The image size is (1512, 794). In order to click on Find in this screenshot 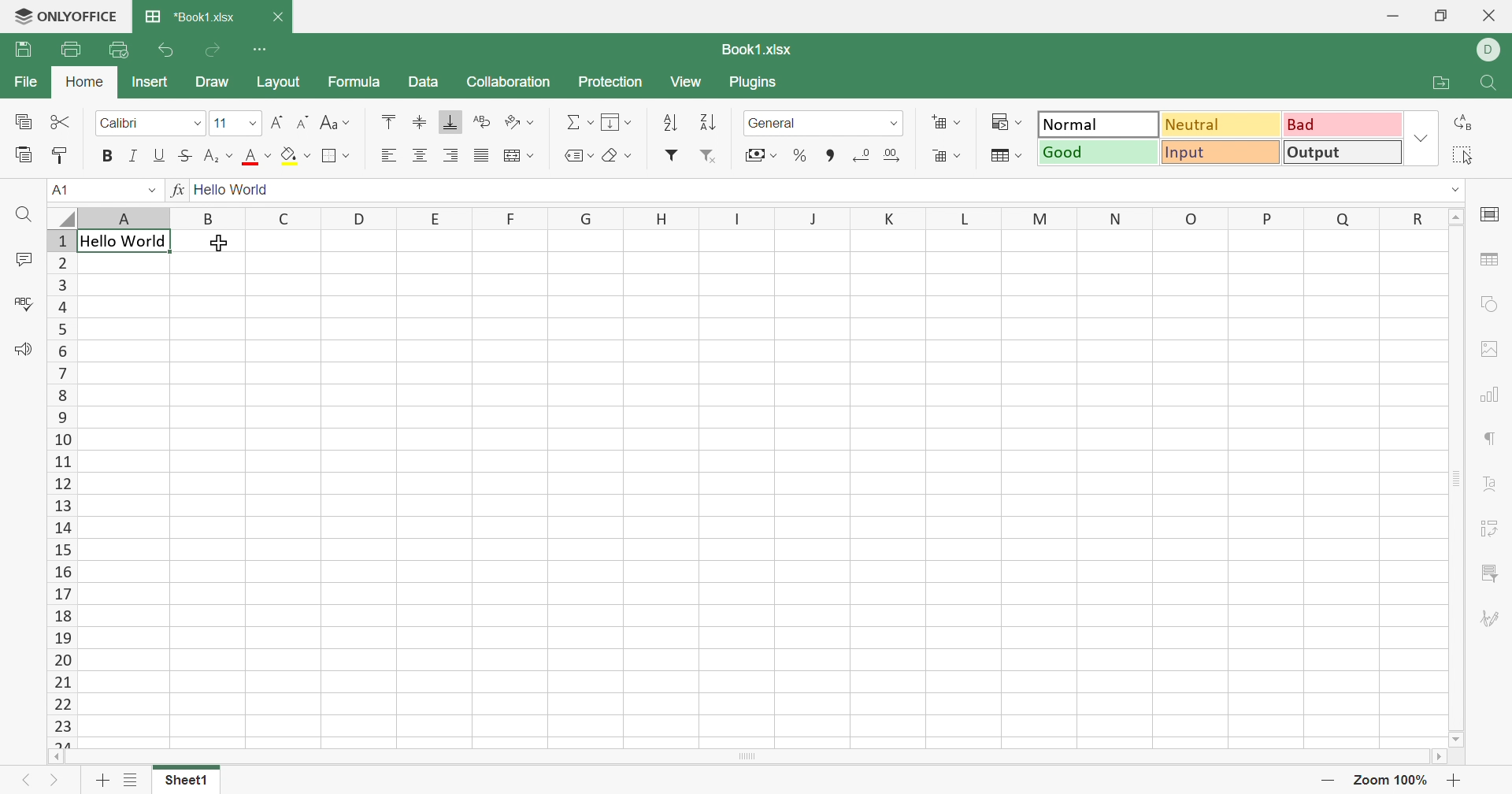, I will do `click(22, 216)`.